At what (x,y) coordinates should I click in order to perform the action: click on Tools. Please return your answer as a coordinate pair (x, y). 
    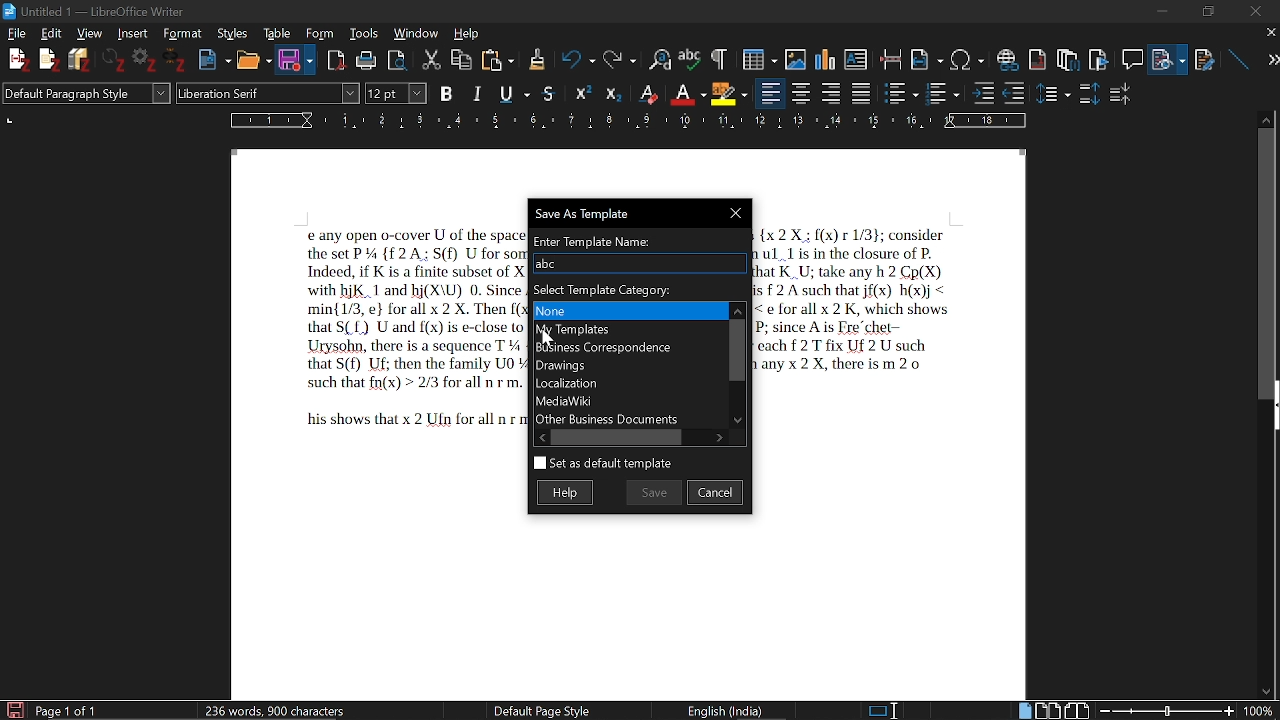
    Looking at the image, I should click on (361, 33).